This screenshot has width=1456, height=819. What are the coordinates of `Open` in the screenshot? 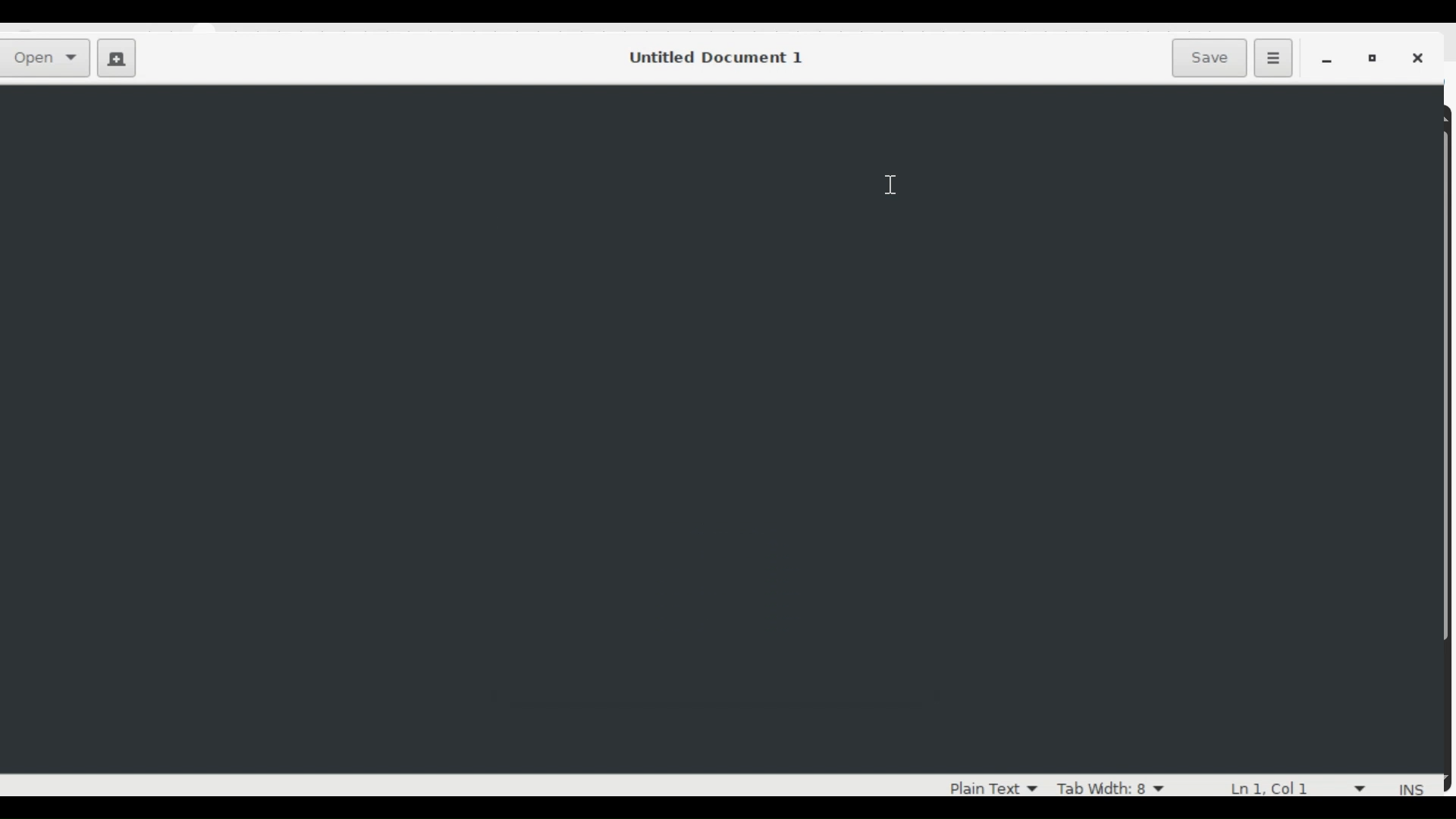 It's located at (49, 59).